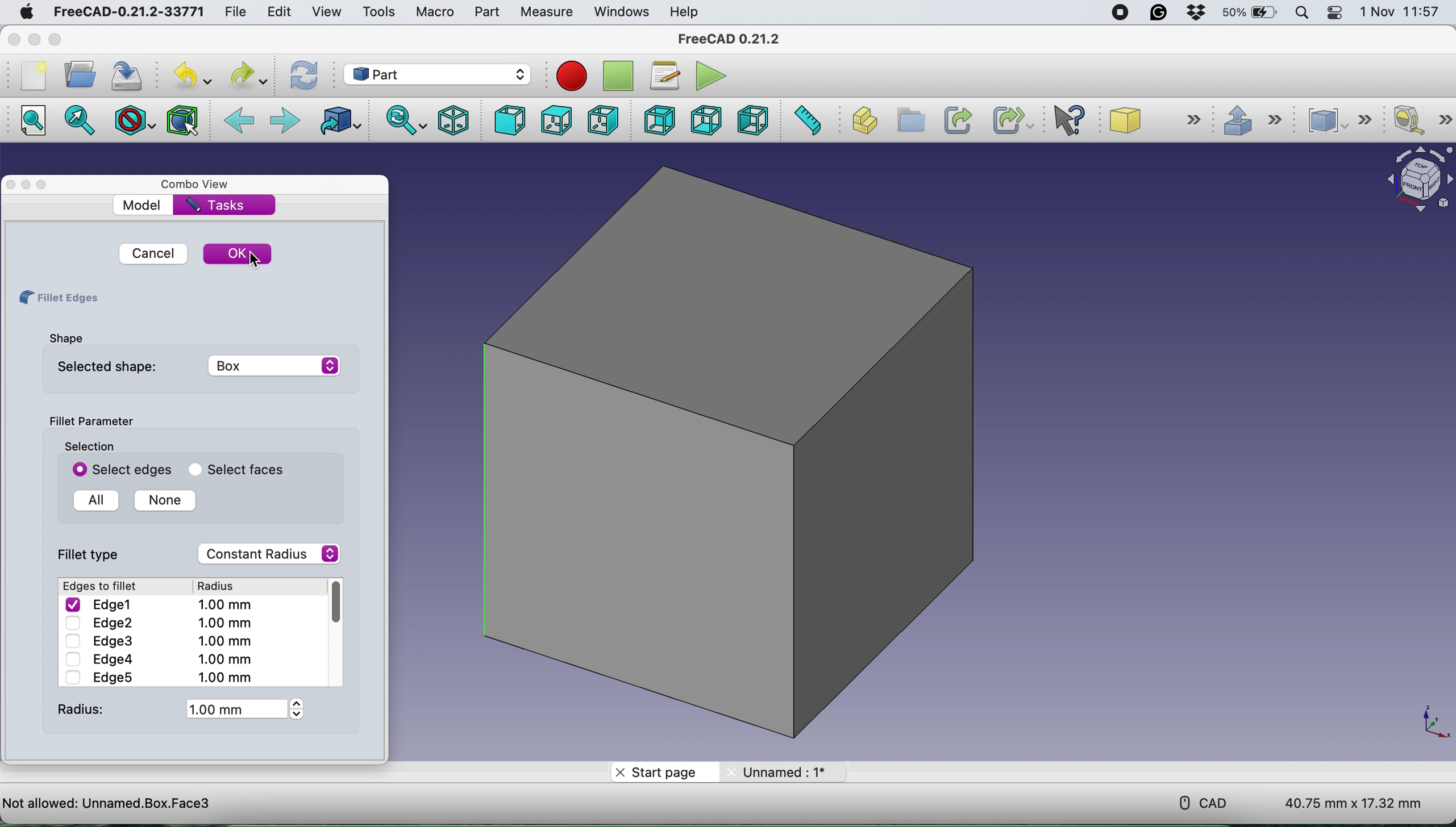 This screenshot has width=1456, height=827. What do you see at coordinates (157, 623) in the screenshot?
I see `Edge2 ` at bounding box center [157, 623].